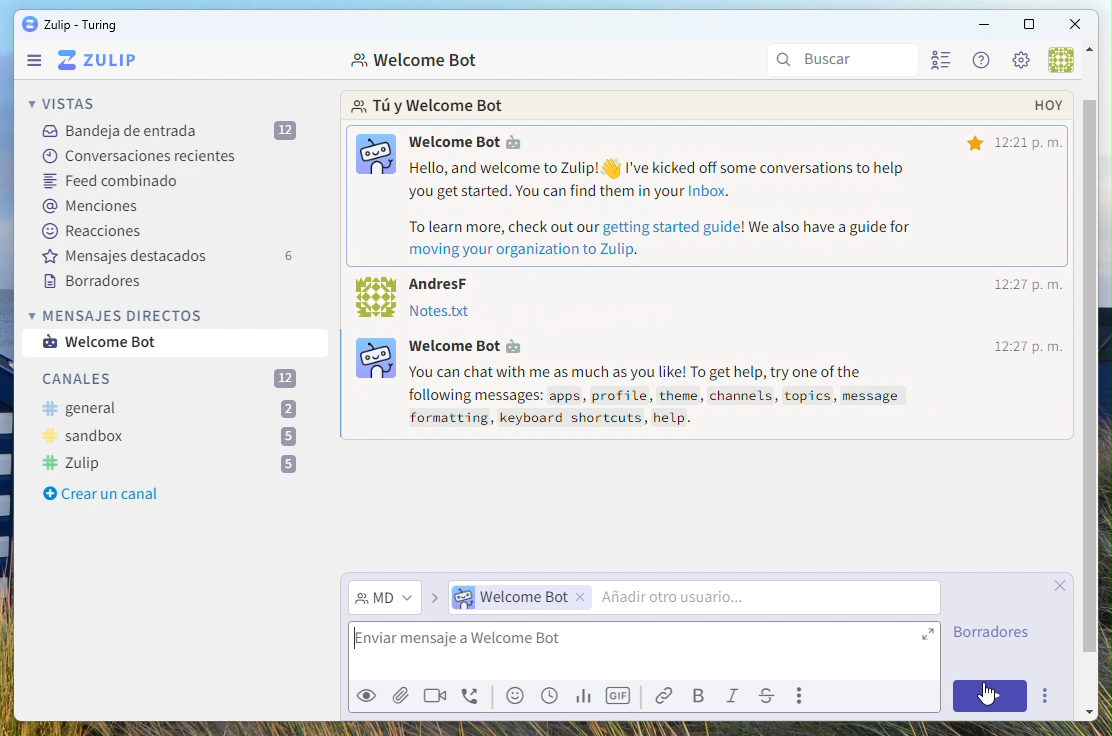 The image size is (1112, 736). Describe the element at coordinates (993, 697) in the screenshot. I see `Send` at that location.